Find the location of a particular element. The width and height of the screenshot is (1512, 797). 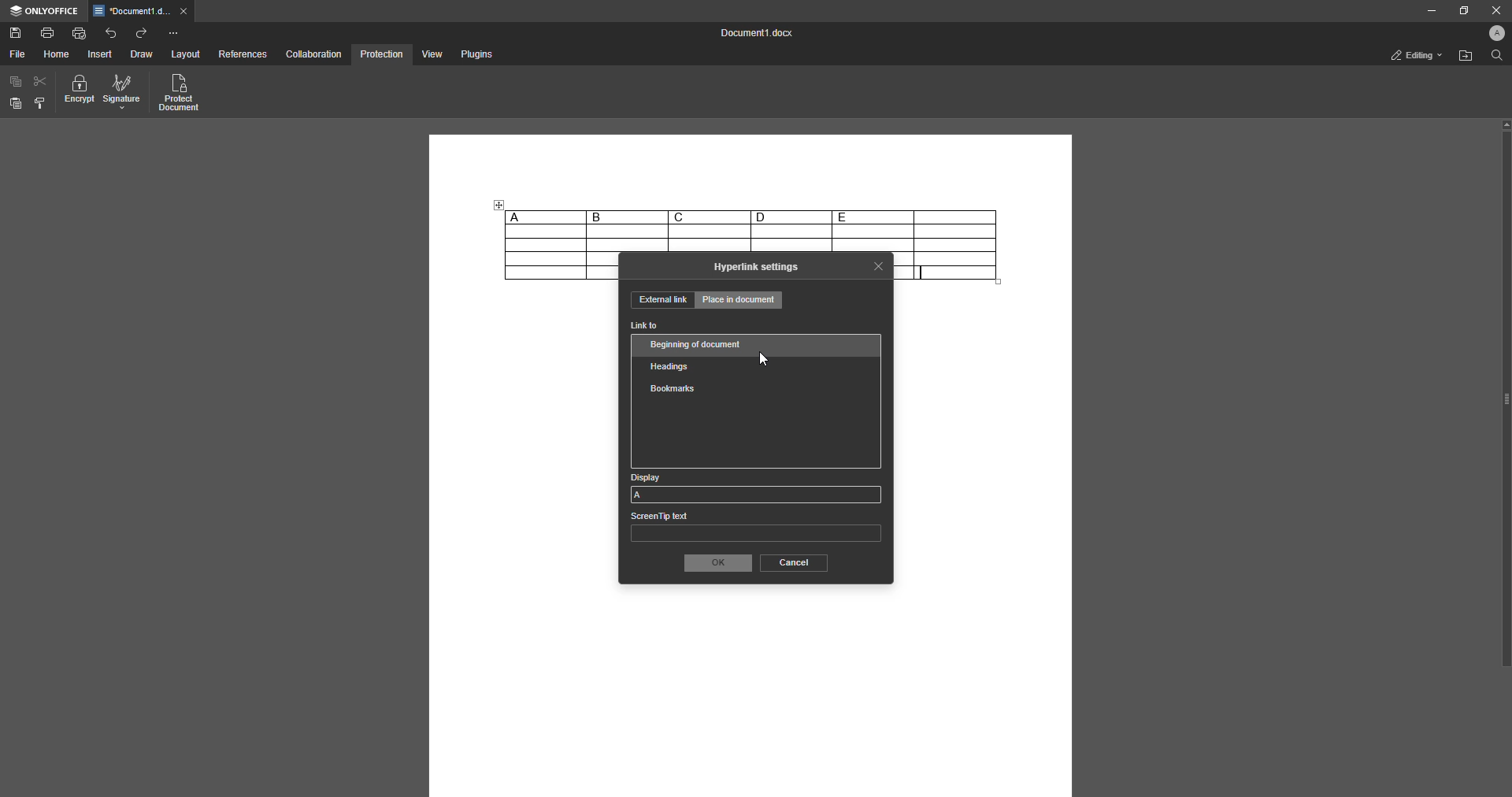

Display: A is located at coordinates (755, 487).